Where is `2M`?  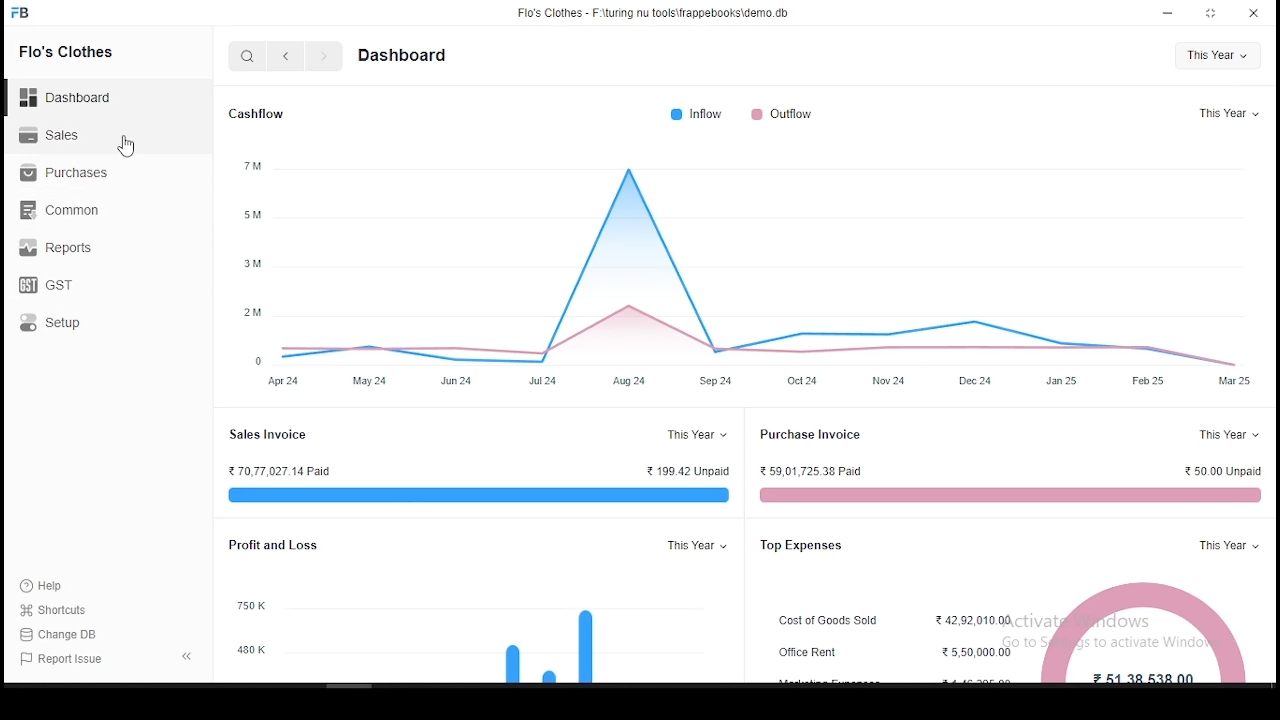
2M is located at coordinates (254, 312).